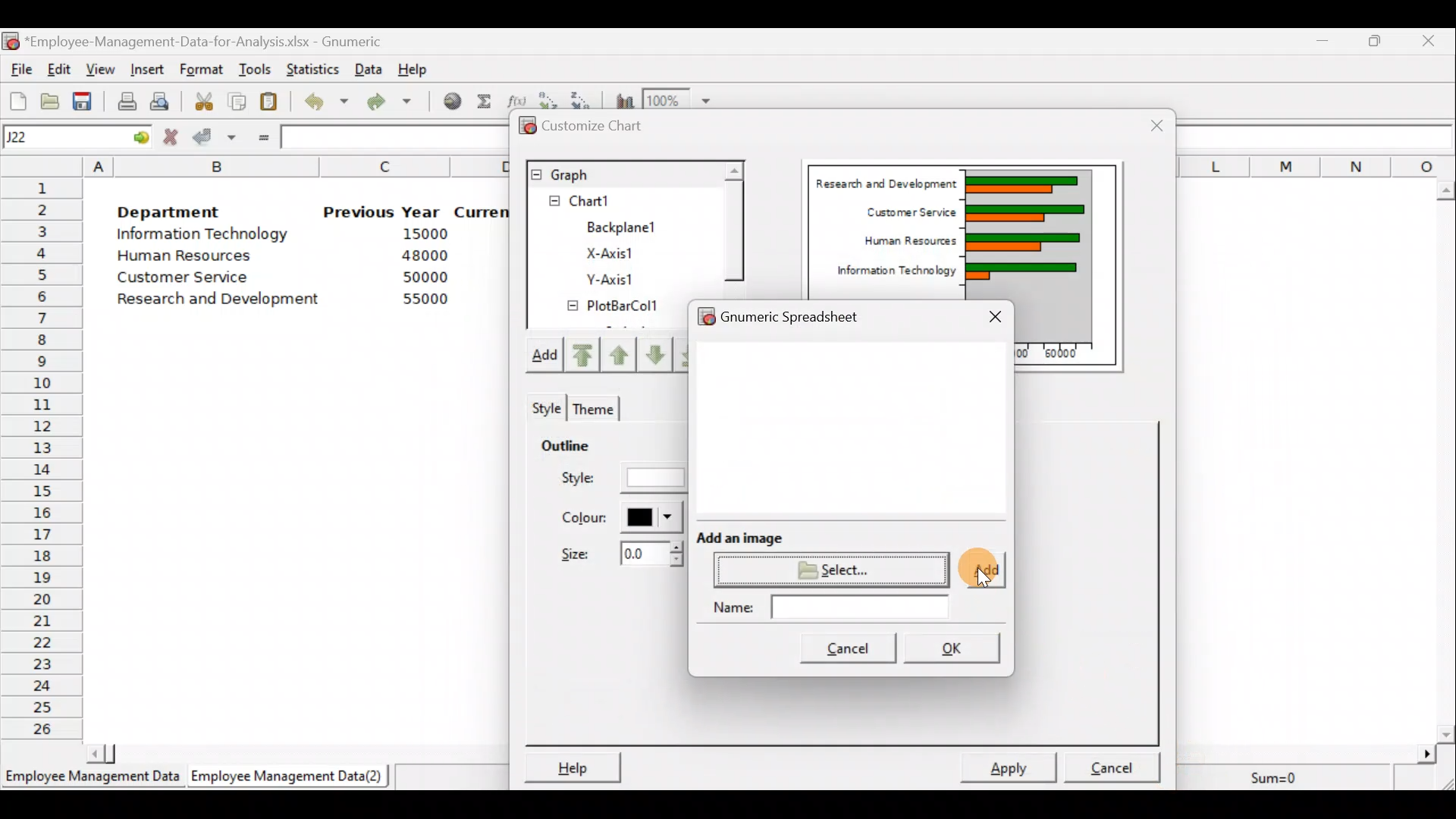  What do you see at coordinates (517, 99) in the screenshot?
I see `Edit a function in the current cell` at bounding box center [517, 99].